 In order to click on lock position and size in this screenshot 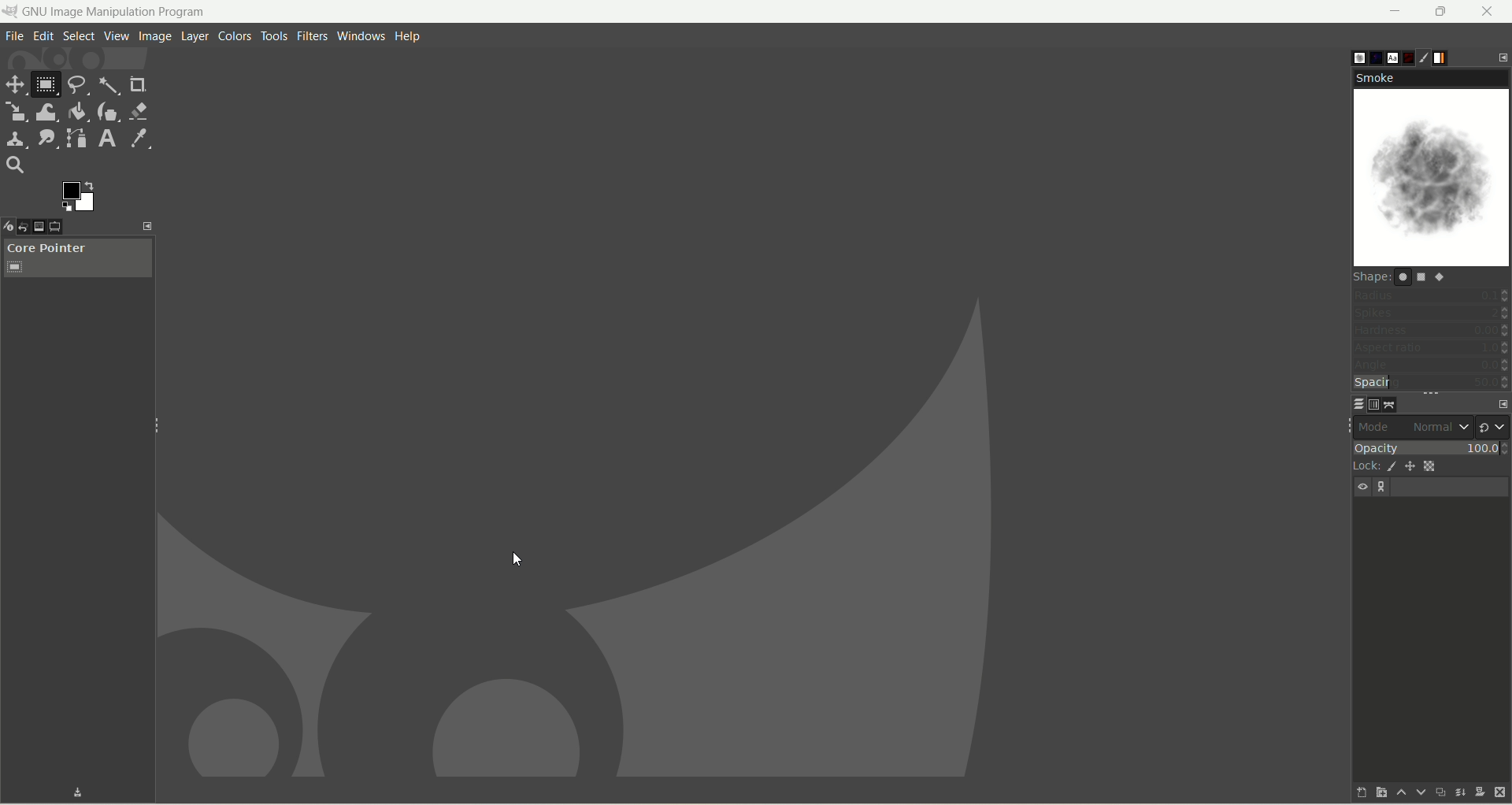, I will do `click(1411, 469)`.